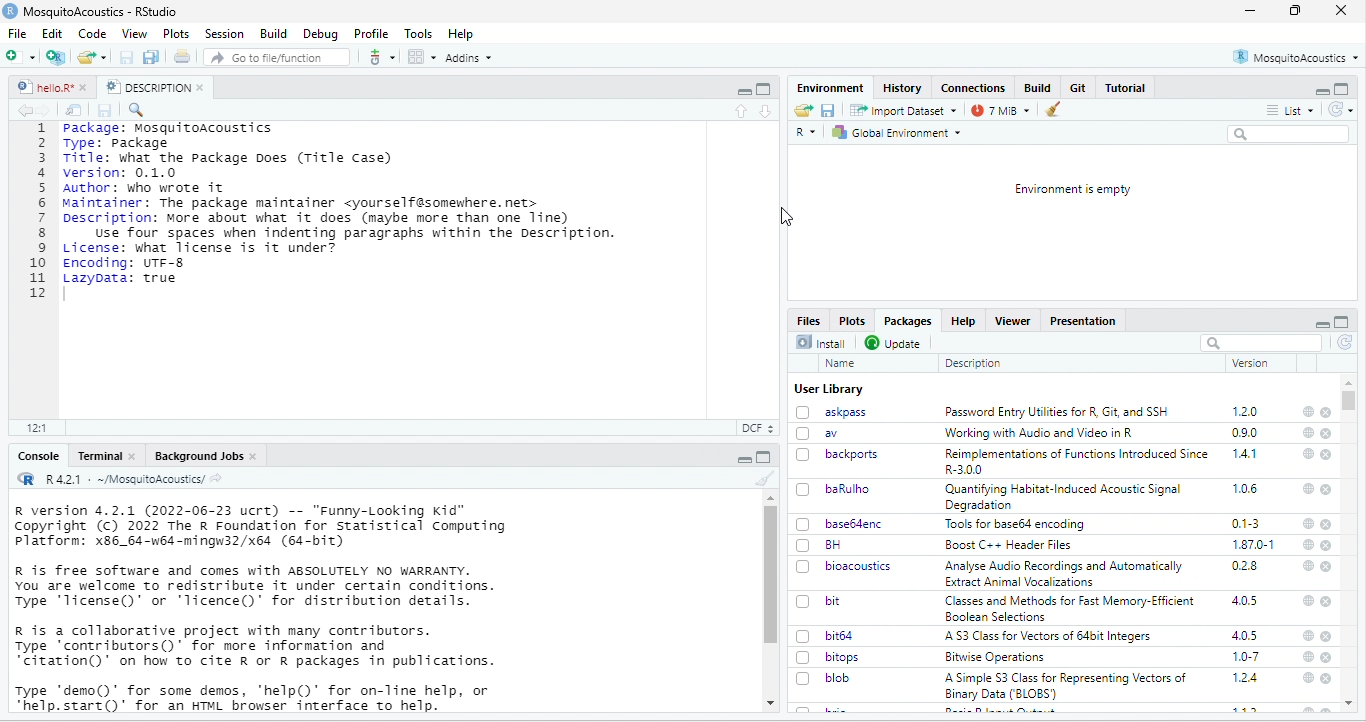 The width and height of the screenshot is (1366, 722). I want to click on MosquitoAcoustics, so click(1296, 57).